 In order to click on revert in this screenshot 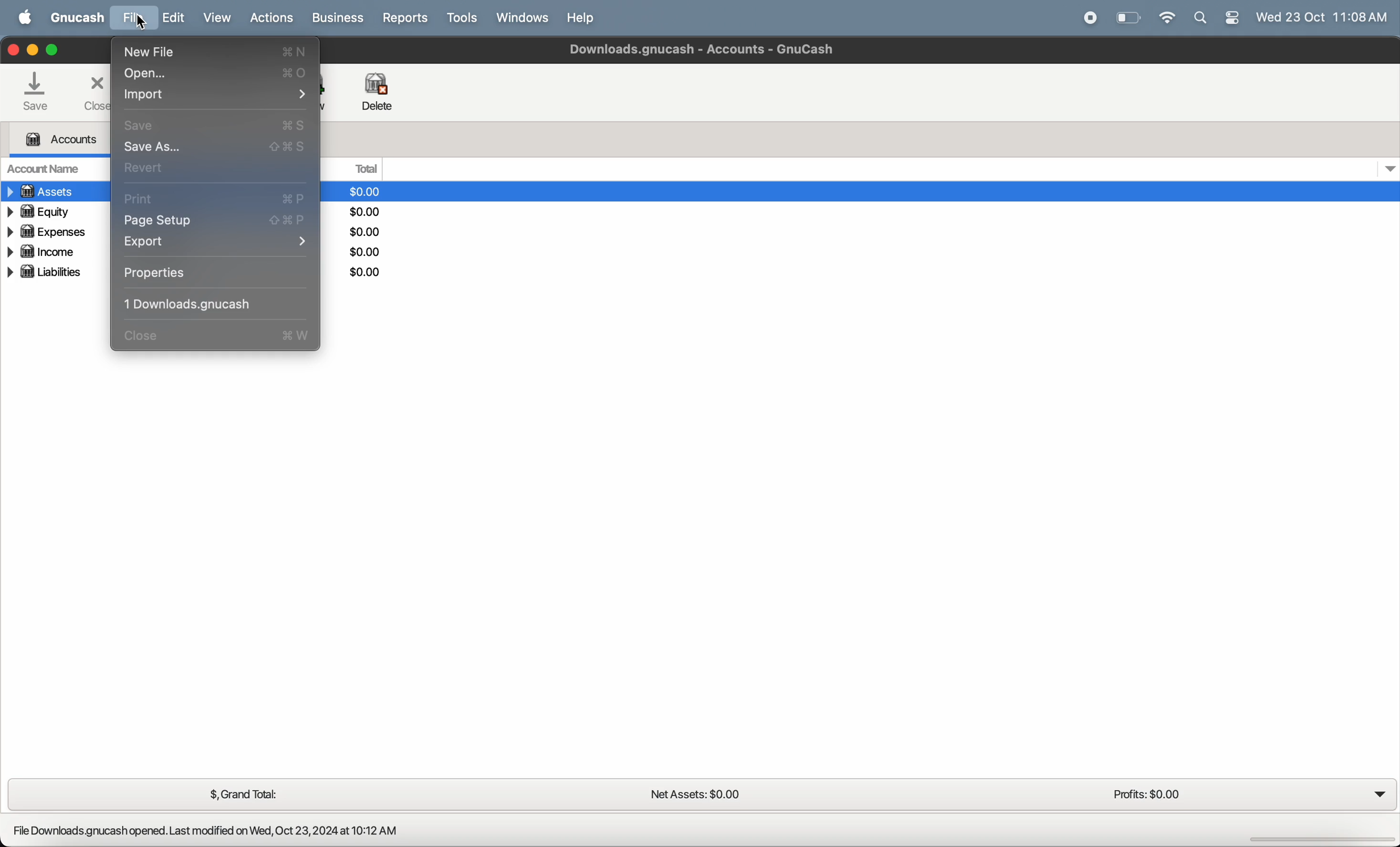, I will do `click(208, 170)`.